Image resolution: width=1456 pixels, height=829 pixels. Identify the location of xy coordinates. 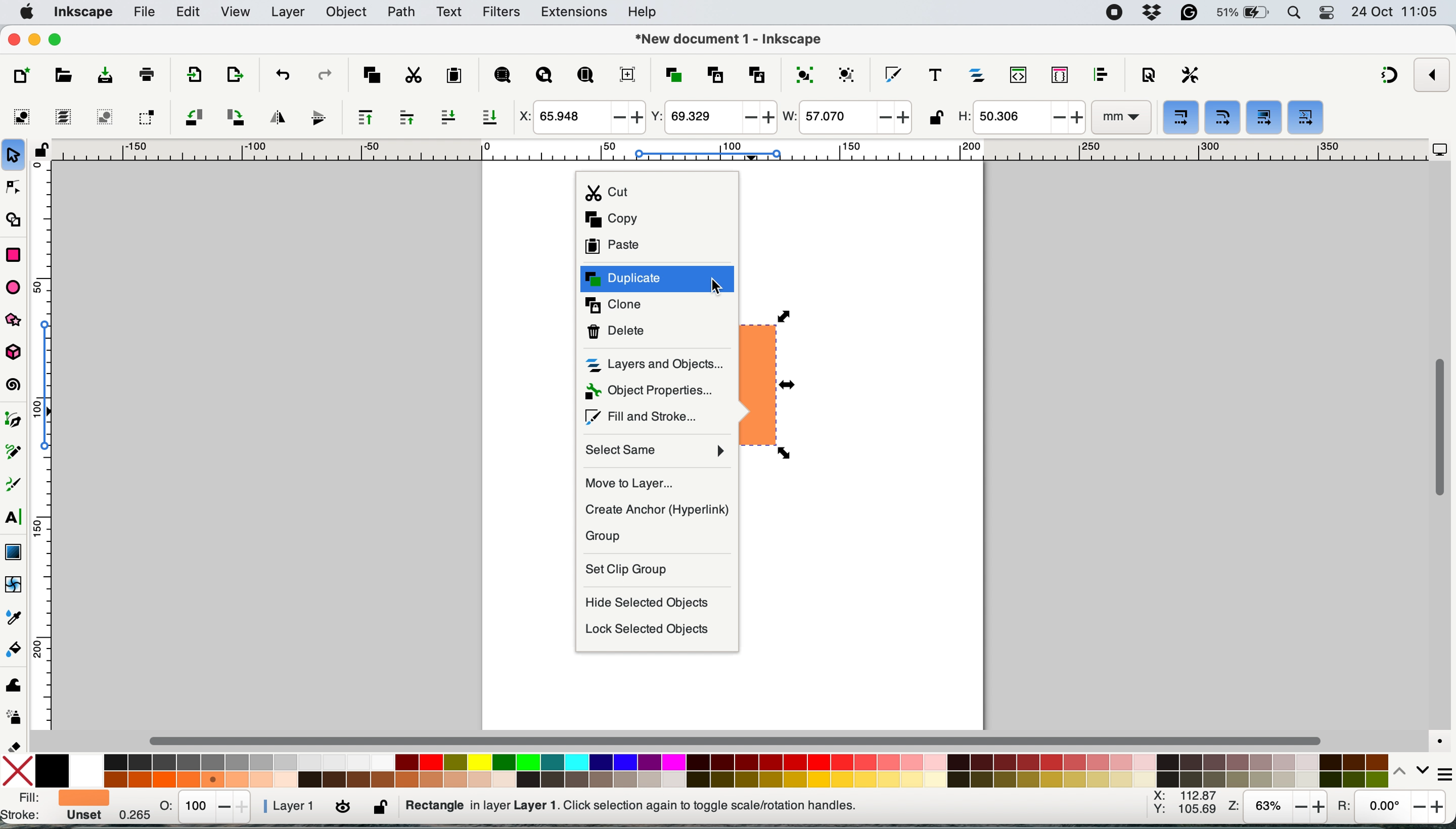
(1184, 806).